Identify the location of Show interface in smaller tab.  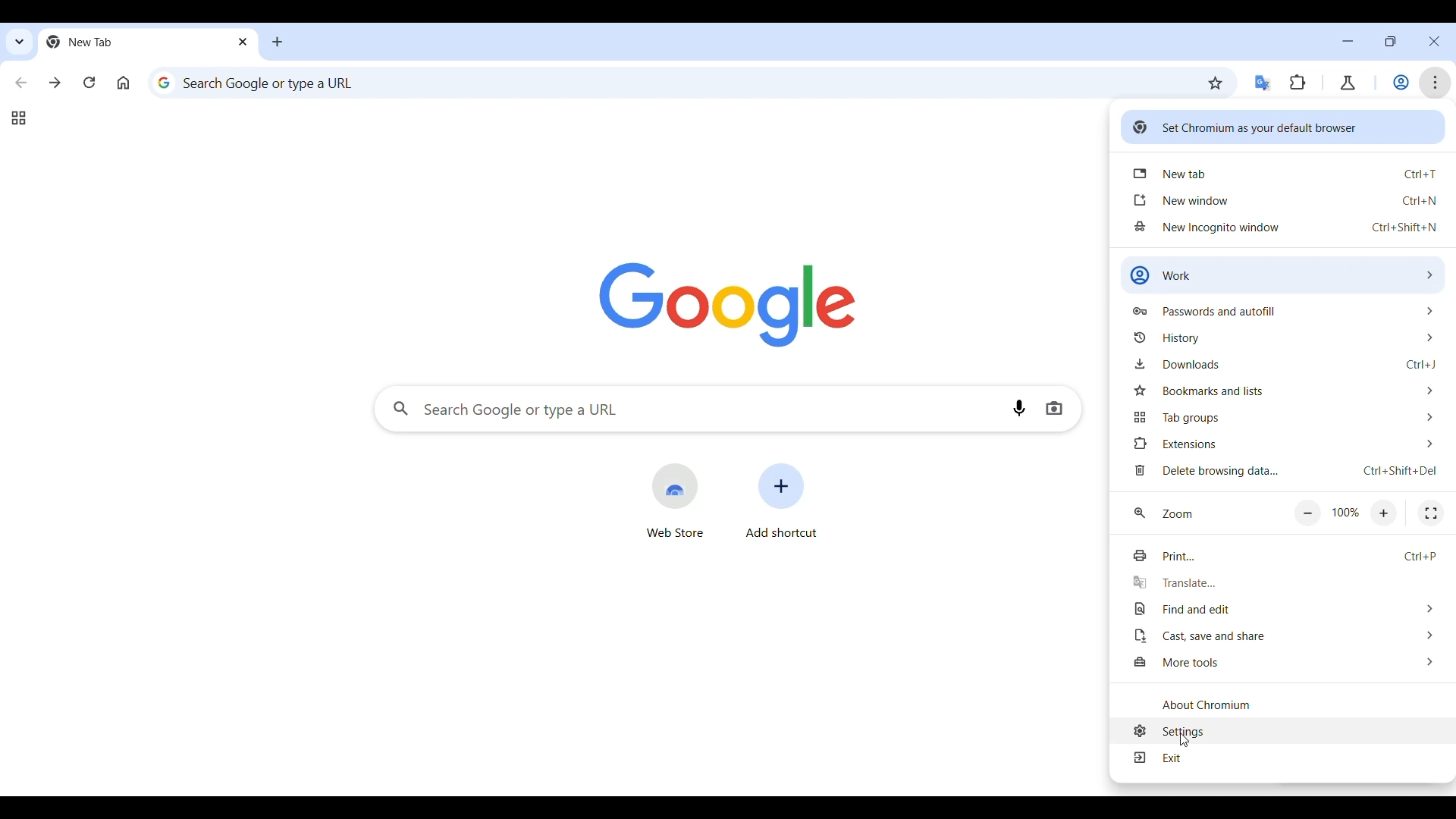
(1390, 41).